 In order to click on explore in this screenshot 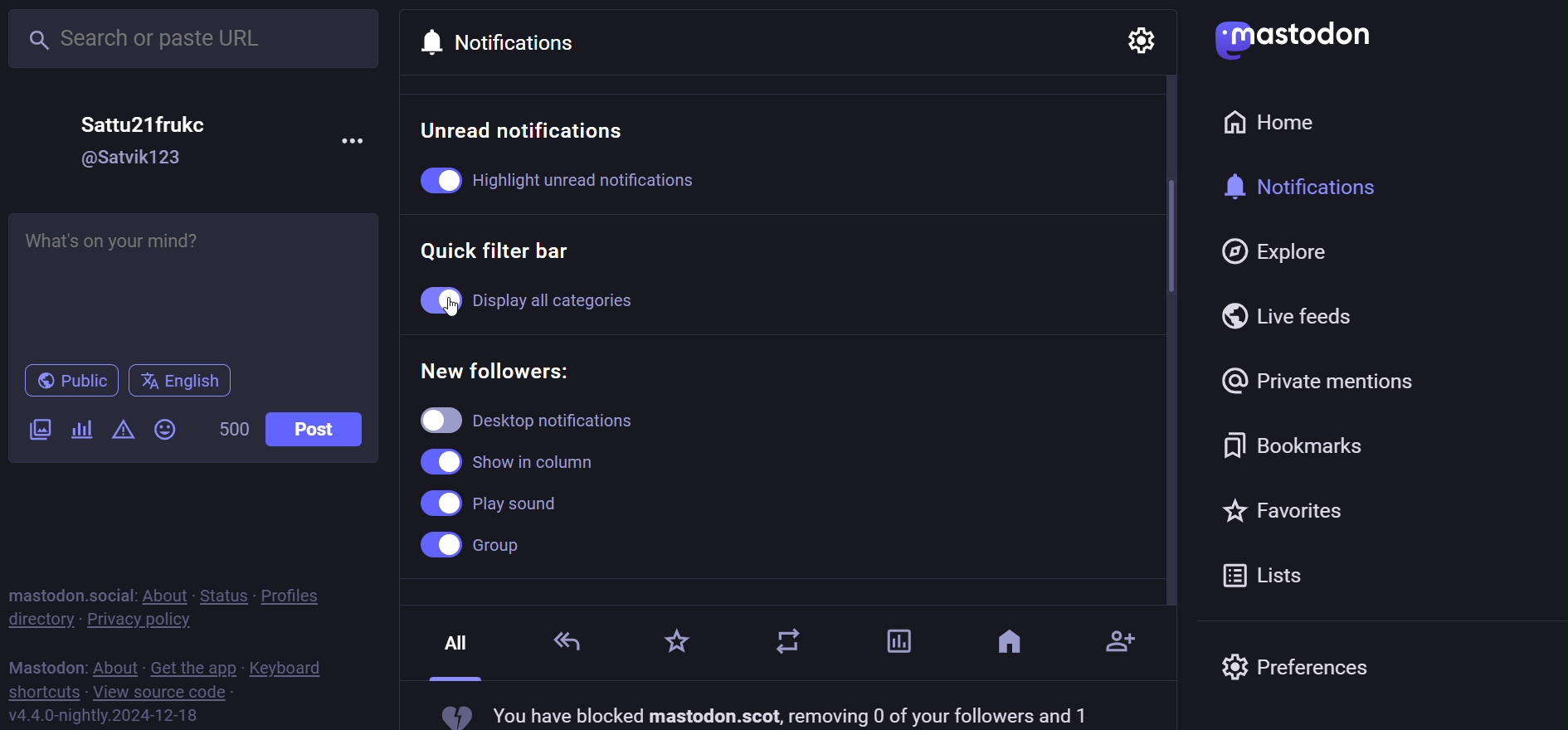, I will do `click(1278, 252)`.